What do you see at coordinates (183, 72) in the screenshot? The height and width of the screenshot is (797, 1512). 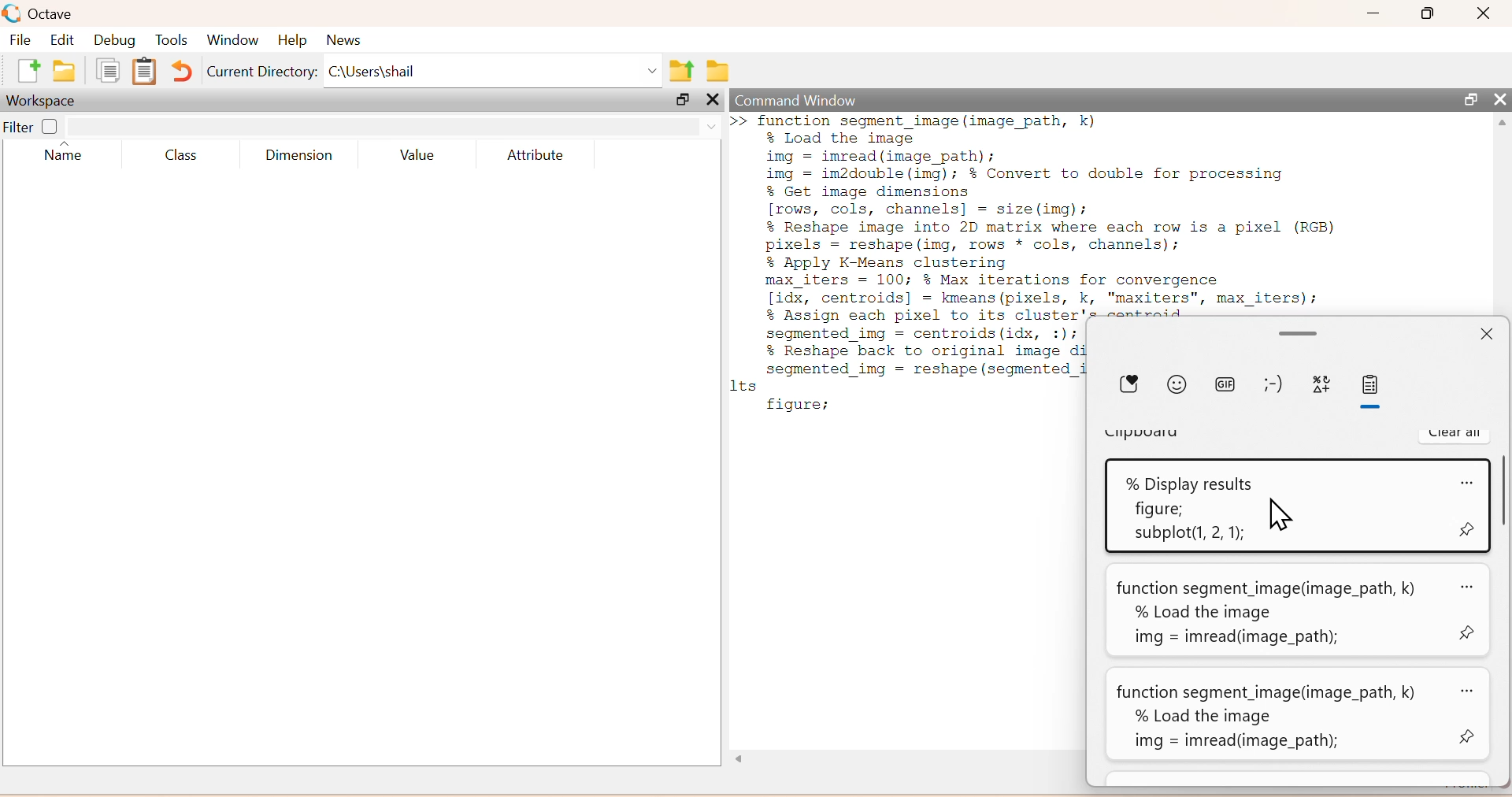 I see `Undo` at bounding box center [183, 72].